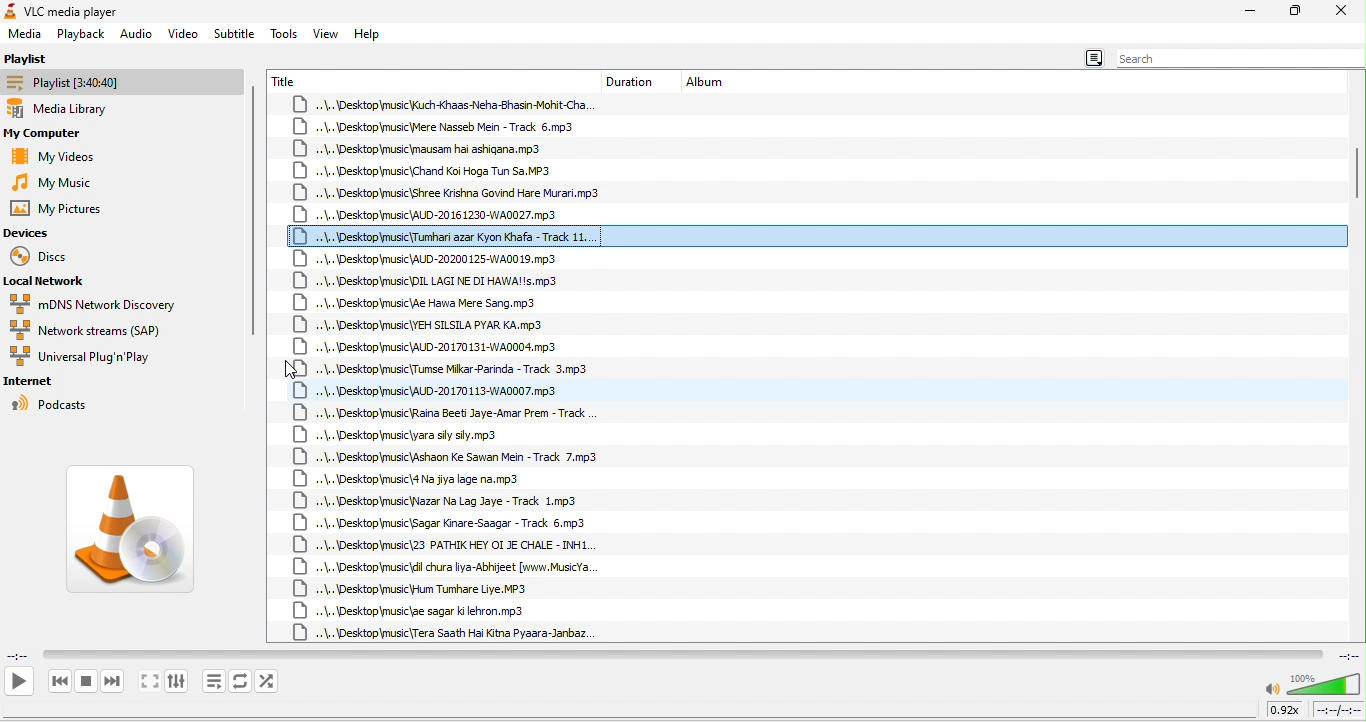 Image resolution: width=1366 pixels, height=722 pixels. I want to click on ««\.. \Desktop\music\YEH SILSILA PYAR KA.mp3, so click(421, 324).